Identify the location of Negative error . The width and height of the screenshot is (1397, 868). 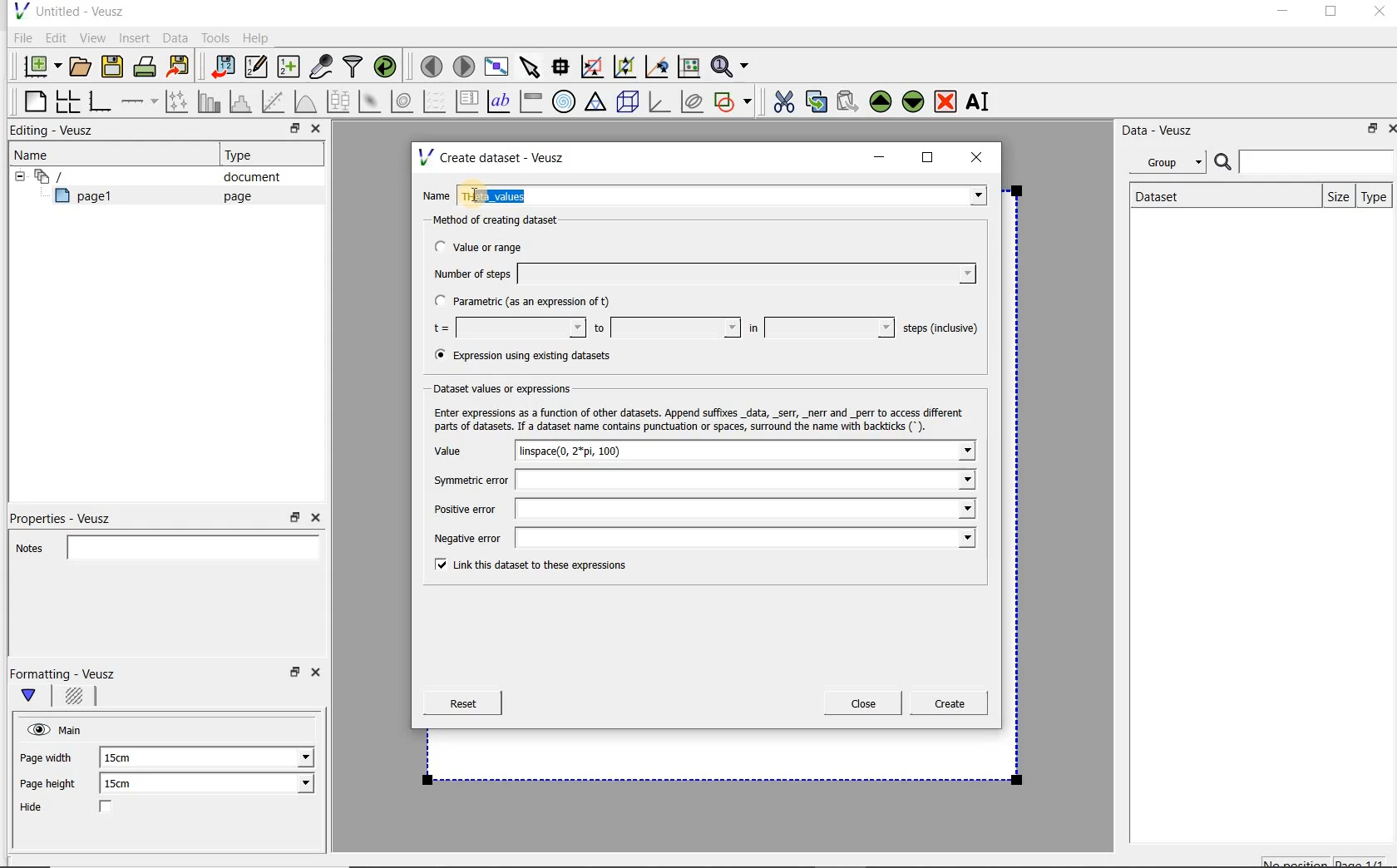
(700, 540).